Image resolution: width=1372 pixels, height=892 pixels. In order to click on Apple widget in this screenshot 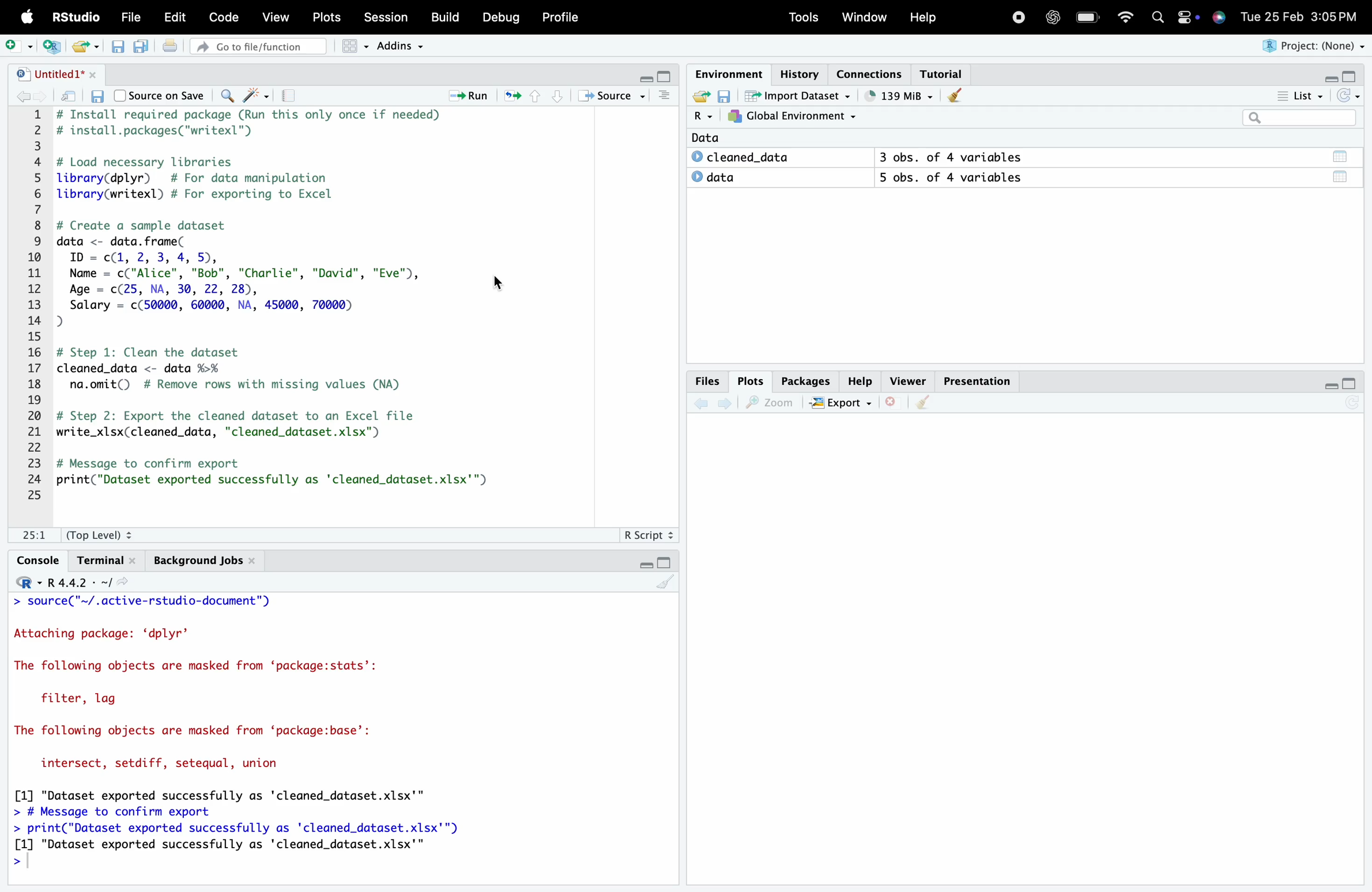, I will do `click(1188, 18)`.